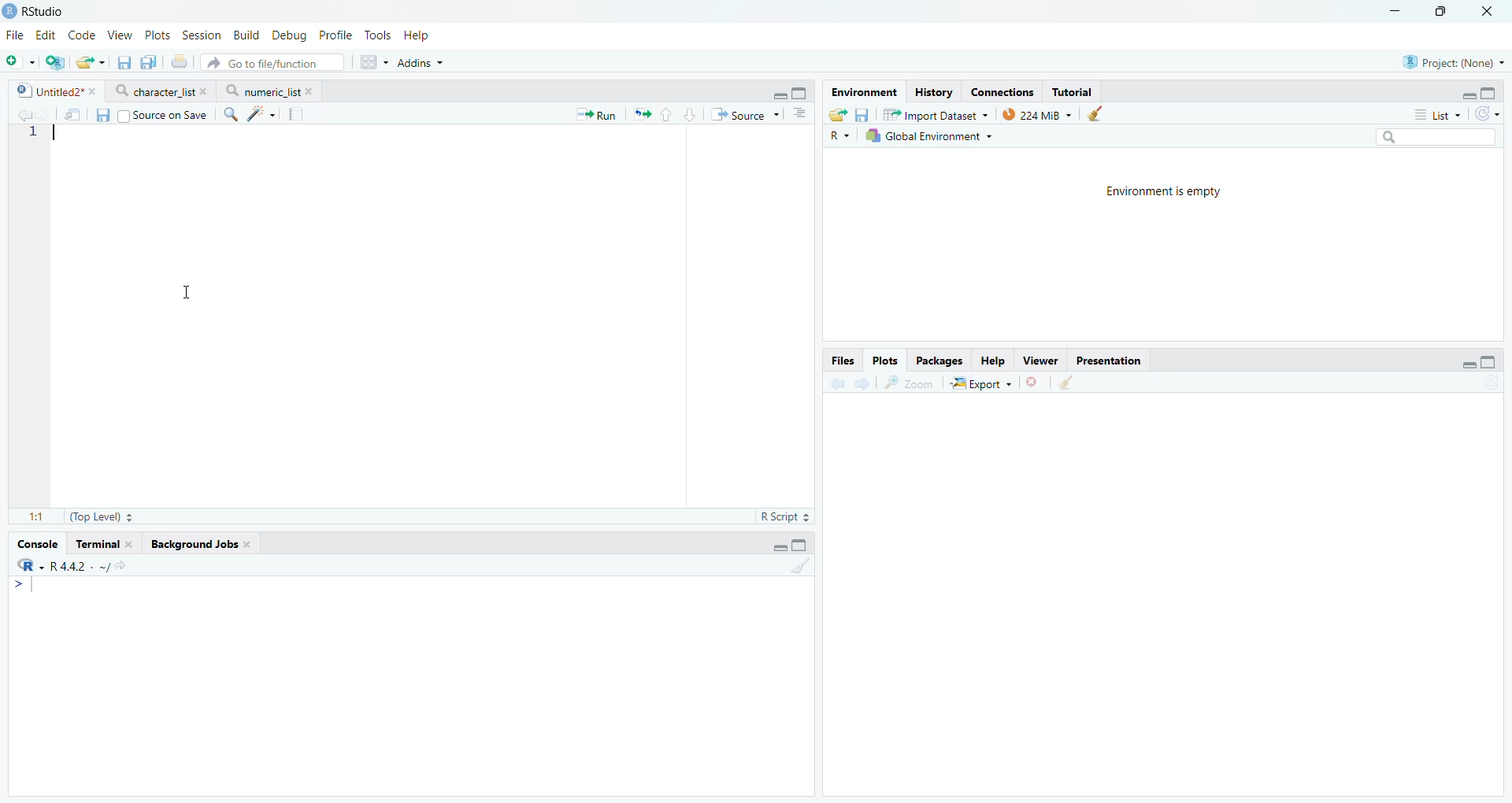 This screenshot has height=803, width=1512. Describe the element at coordinates (1492, 384) in the screenshot. I see `Refresh list` at that location.